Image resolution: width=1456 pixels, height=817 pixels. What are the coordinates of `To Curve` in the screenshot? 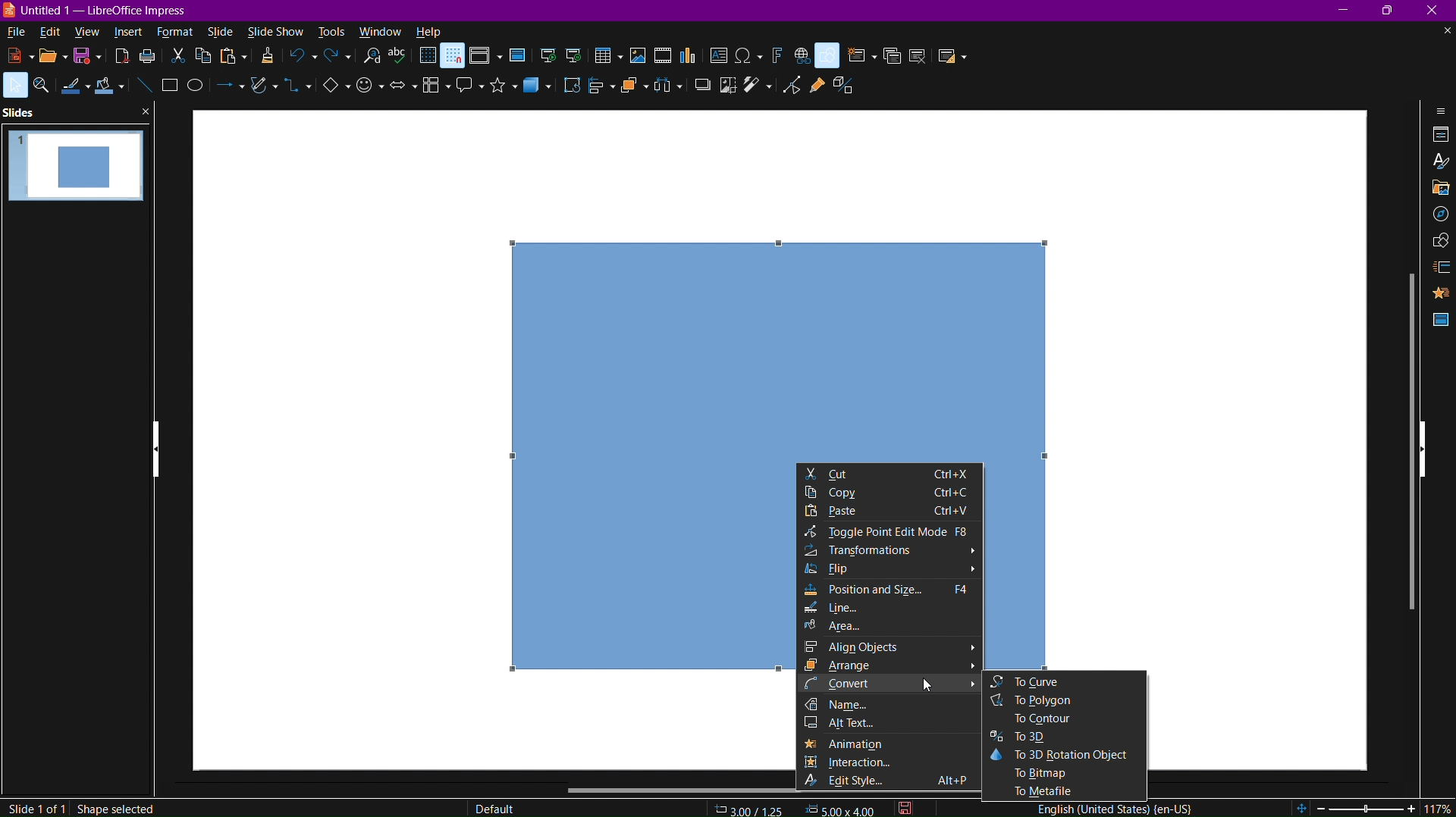 It's located at (1063, 681).